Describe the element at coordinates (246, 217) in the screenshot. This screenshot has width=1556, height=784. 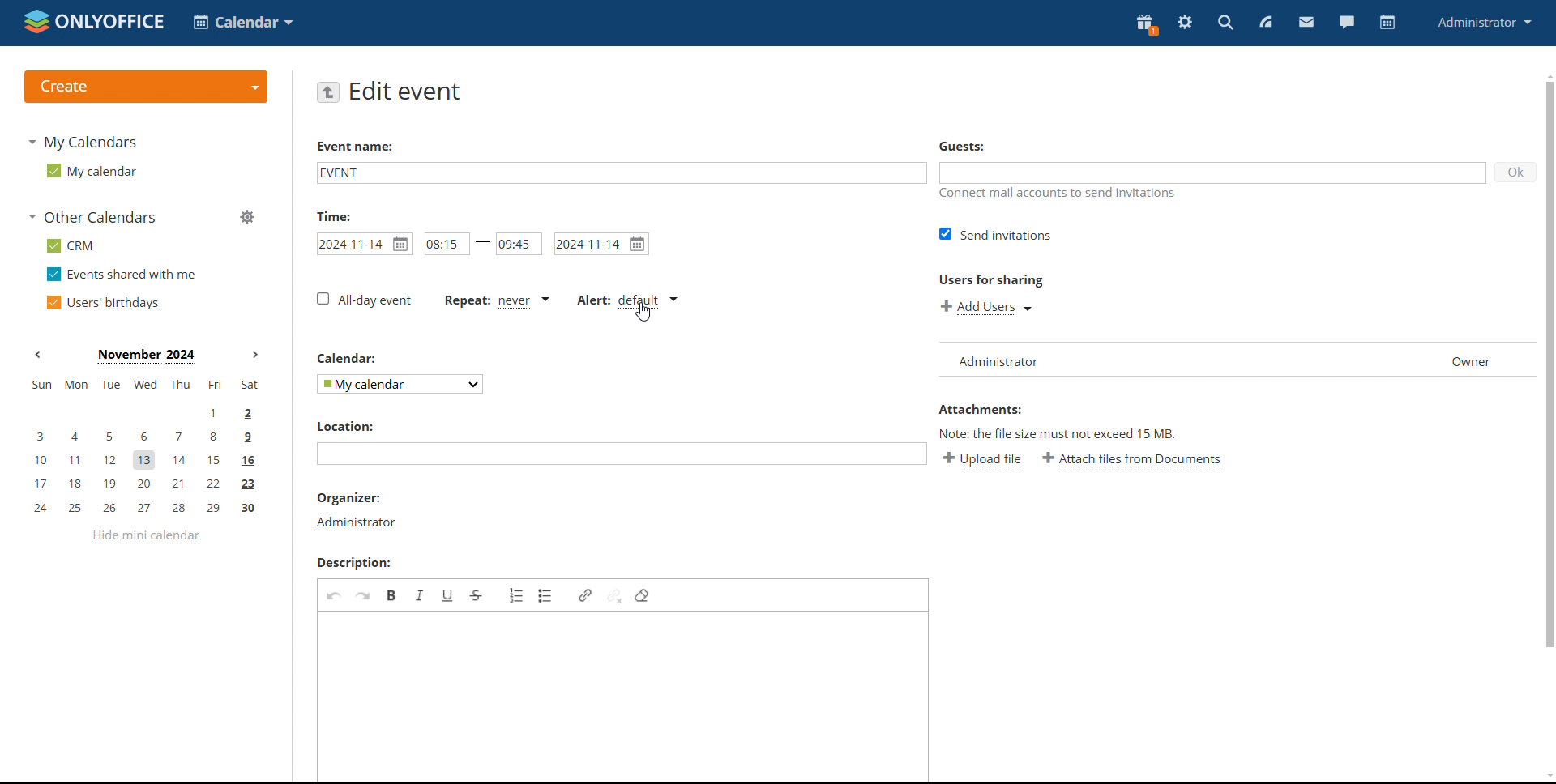
I see `manage` at that location.